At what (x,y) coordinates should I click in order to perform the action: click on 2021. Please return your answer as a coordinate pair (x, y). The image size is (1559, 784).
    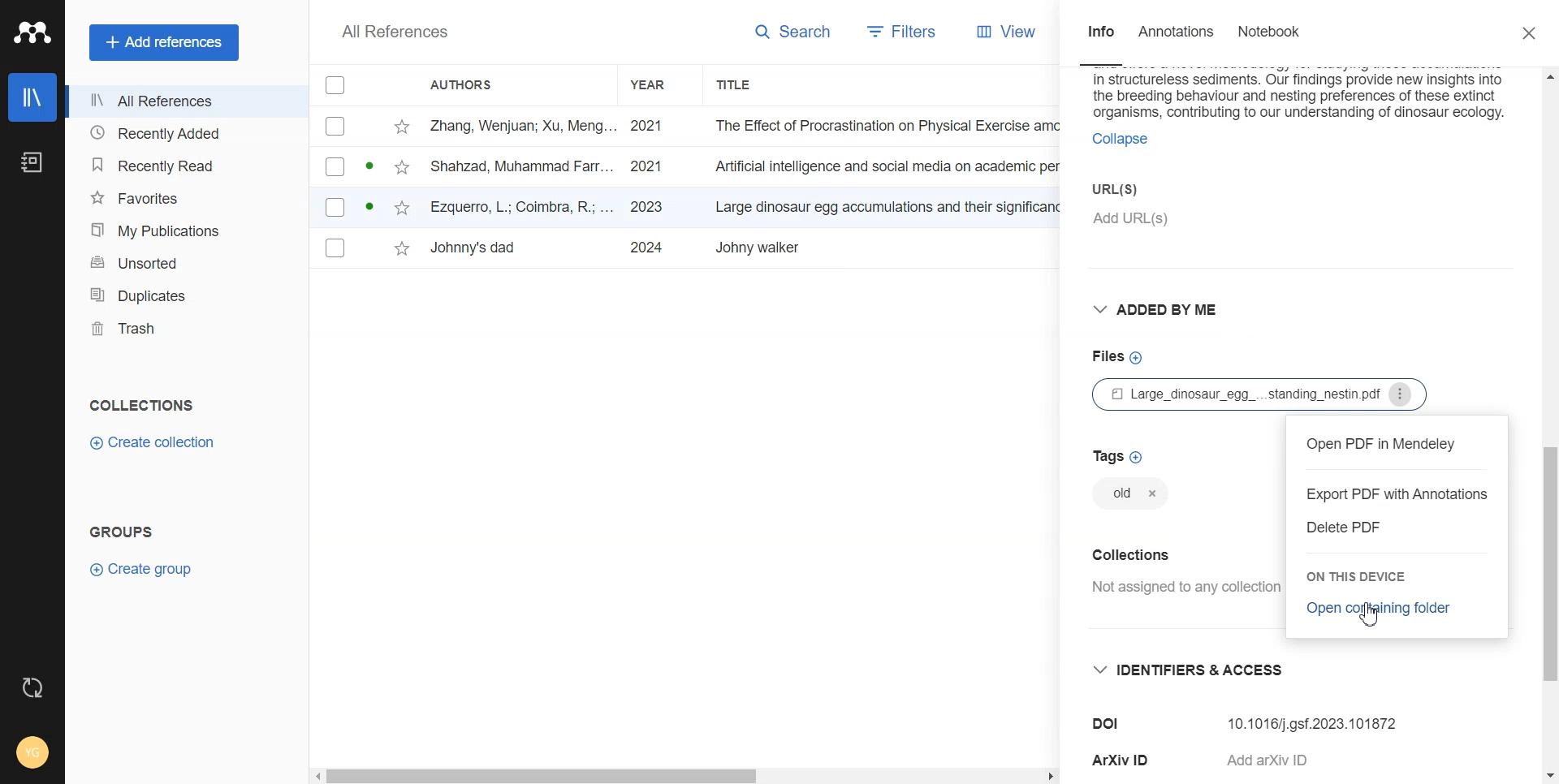
    Looking at the image, I should click on (646, 127).